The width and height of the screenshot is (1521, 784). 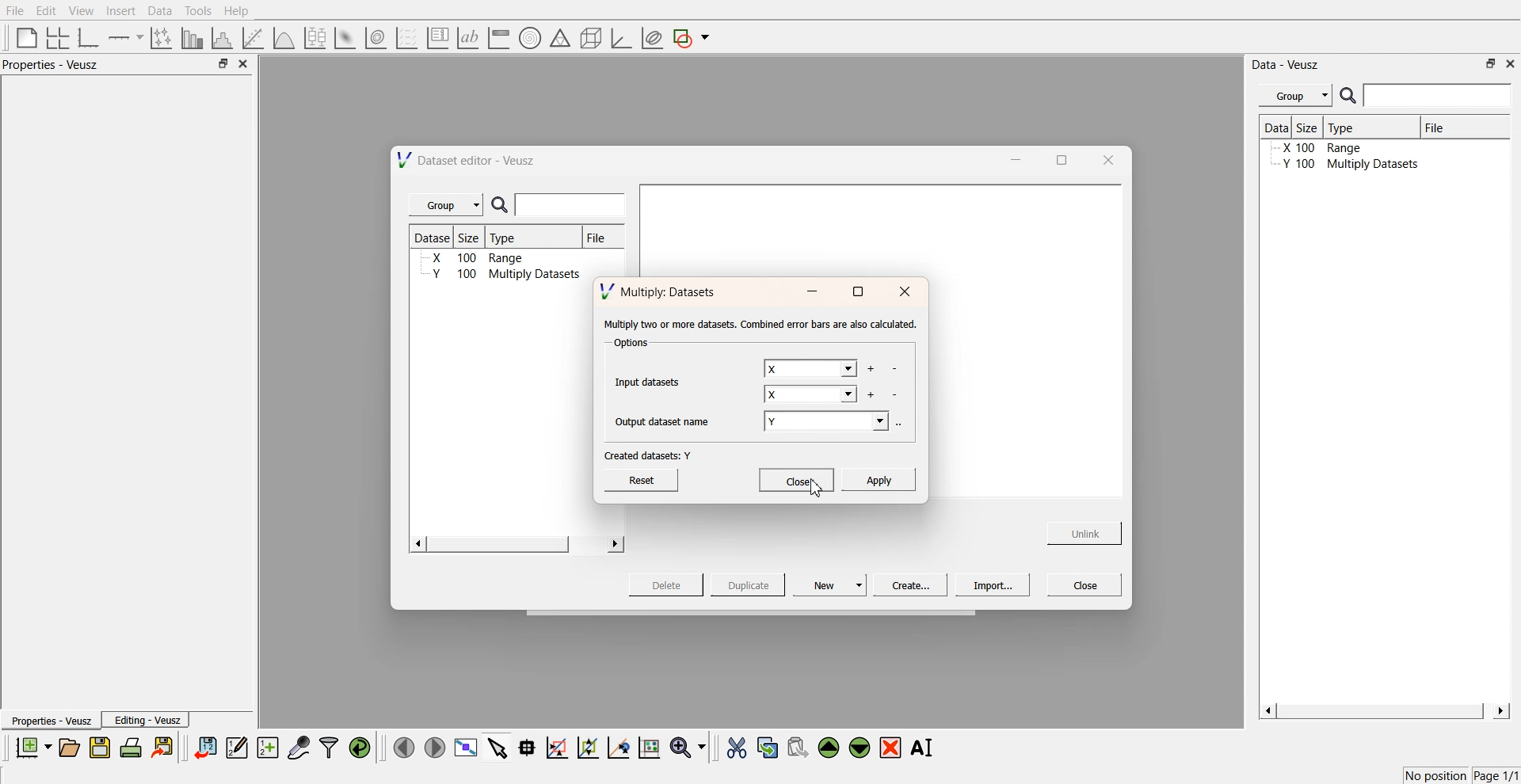 What do you see at coordinates (434, 238) in the screenshot?
I see `Dataset` at bounding box center [434, 238].